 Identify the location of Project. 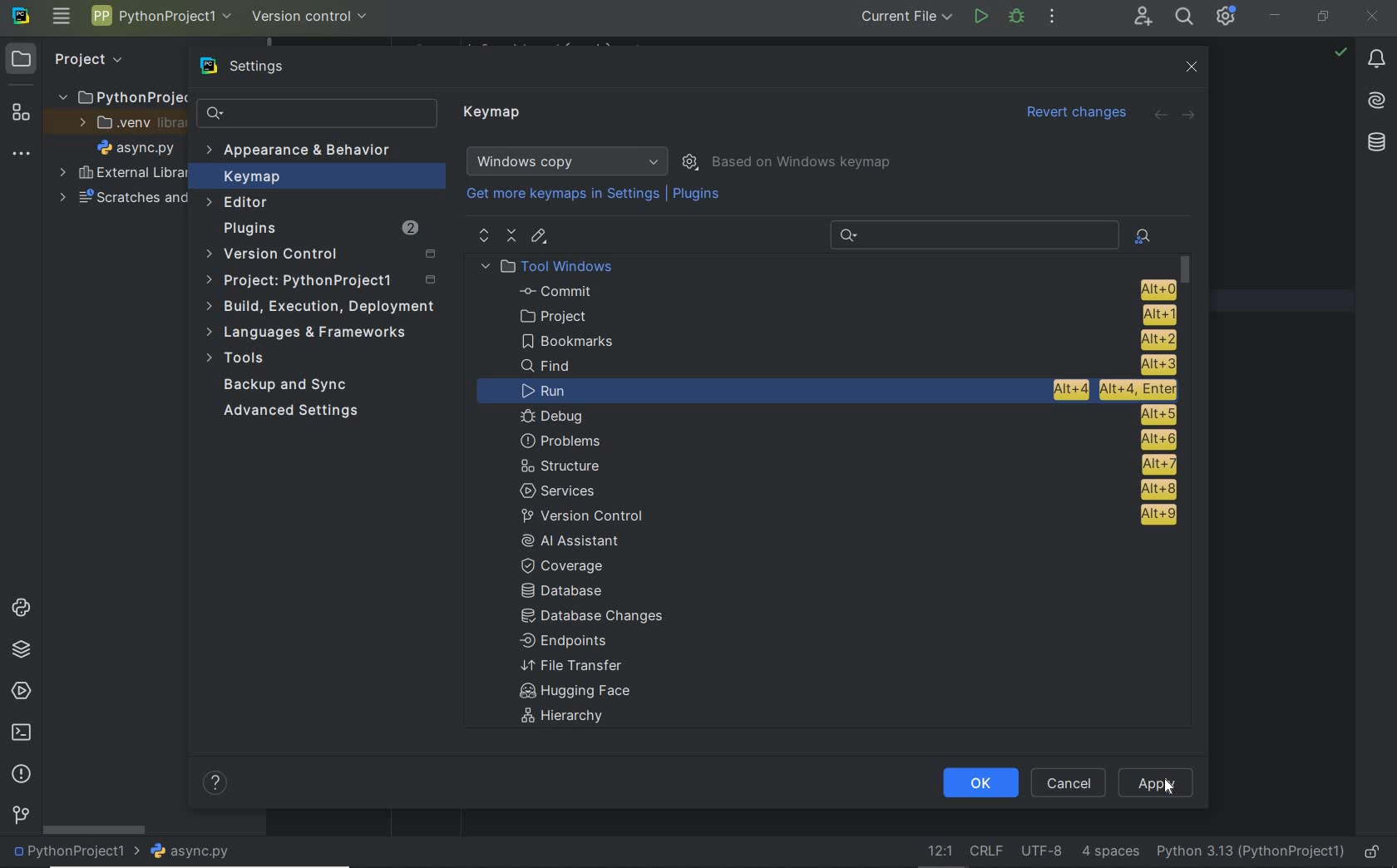
(72, 58).